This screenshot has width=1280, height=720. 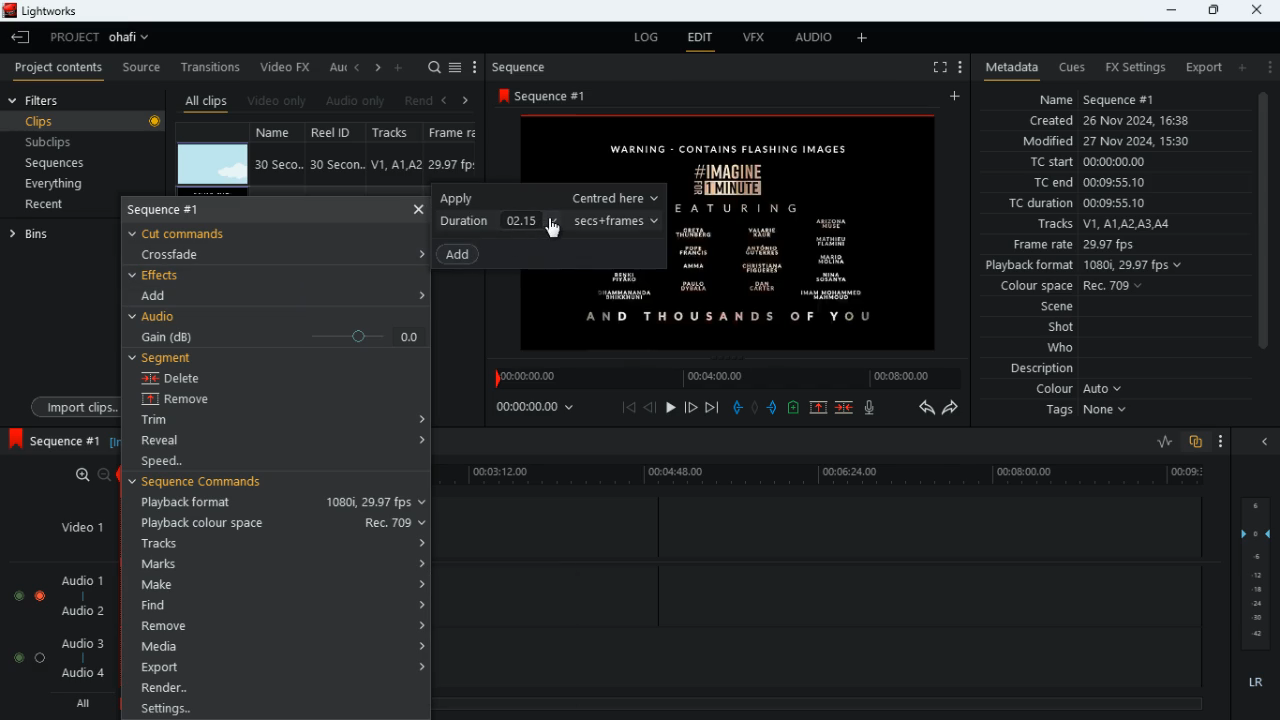 What do you see at coordinates (422, 293) in the screenshot?
I see `Accordion` at bounding box center [422, 293].